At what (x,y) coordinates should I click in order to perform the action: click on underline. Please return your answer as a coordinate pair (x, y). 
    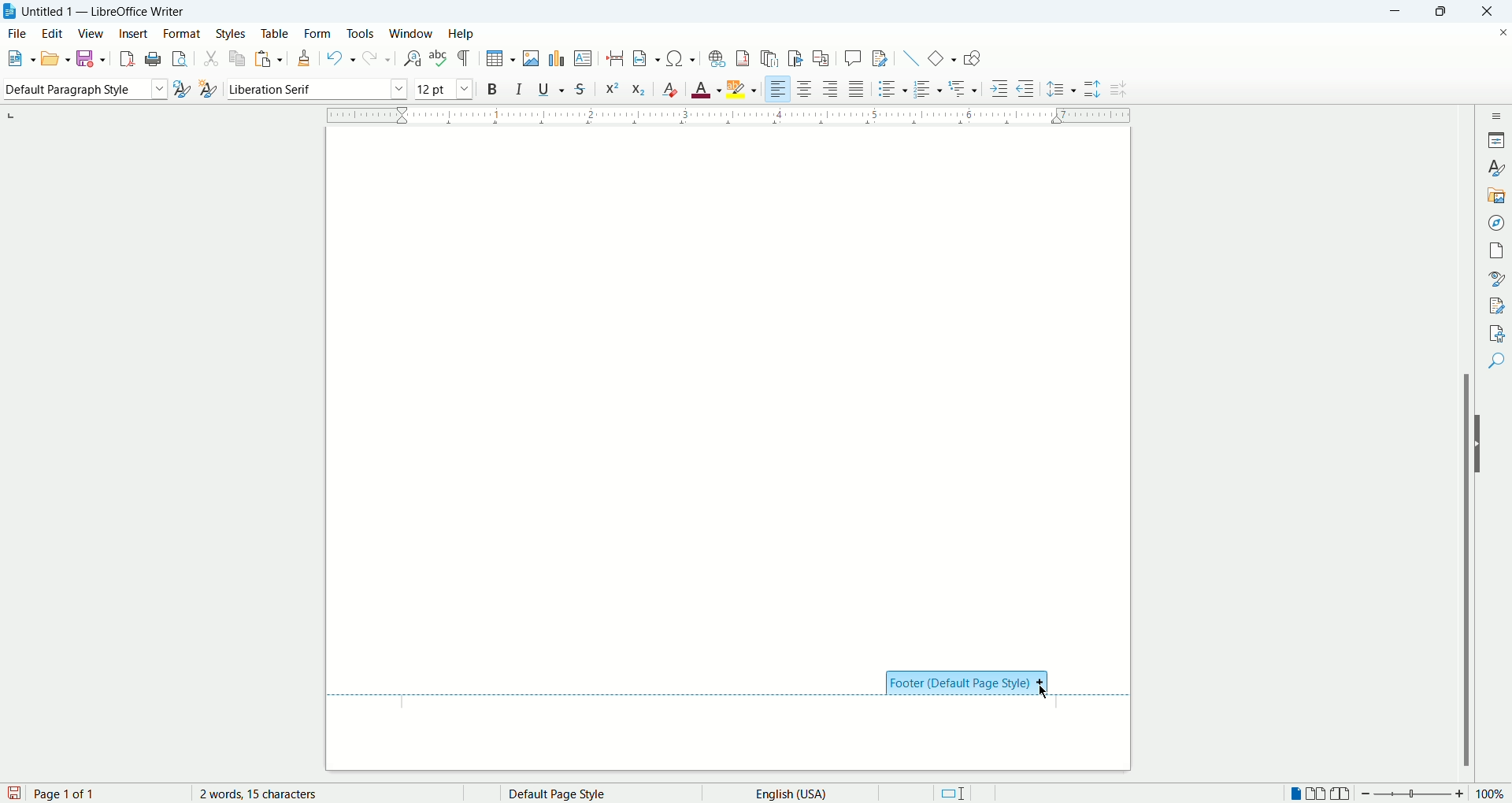
    Looking at the image, I should click on (554, 89).